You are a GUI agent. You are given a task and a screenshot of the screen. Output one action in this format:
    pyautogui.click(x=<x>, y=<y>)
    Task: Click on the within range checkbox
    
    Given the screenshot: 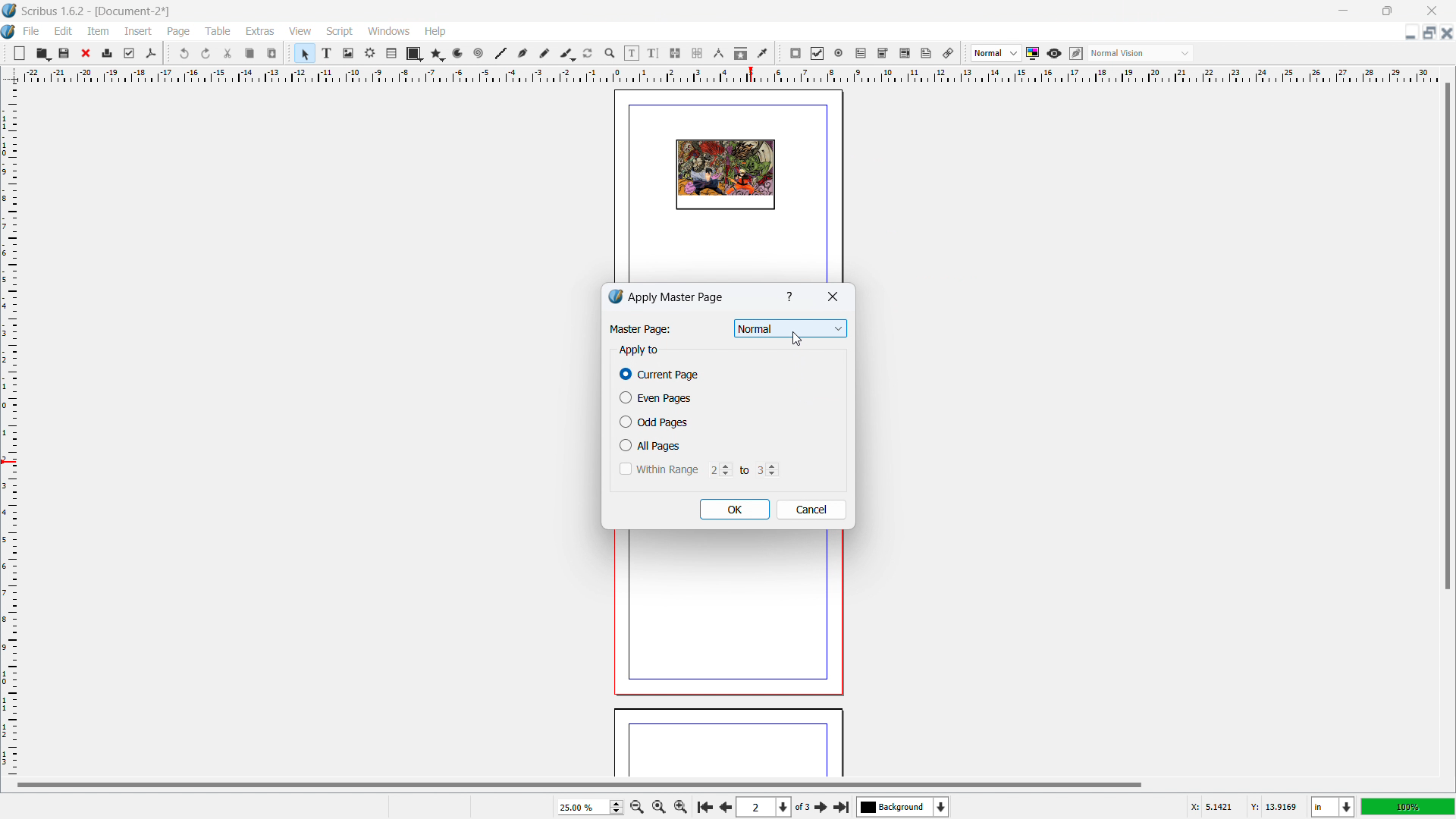 What is the action you would take?
    pyautogui.click(x=657, y=469)
    